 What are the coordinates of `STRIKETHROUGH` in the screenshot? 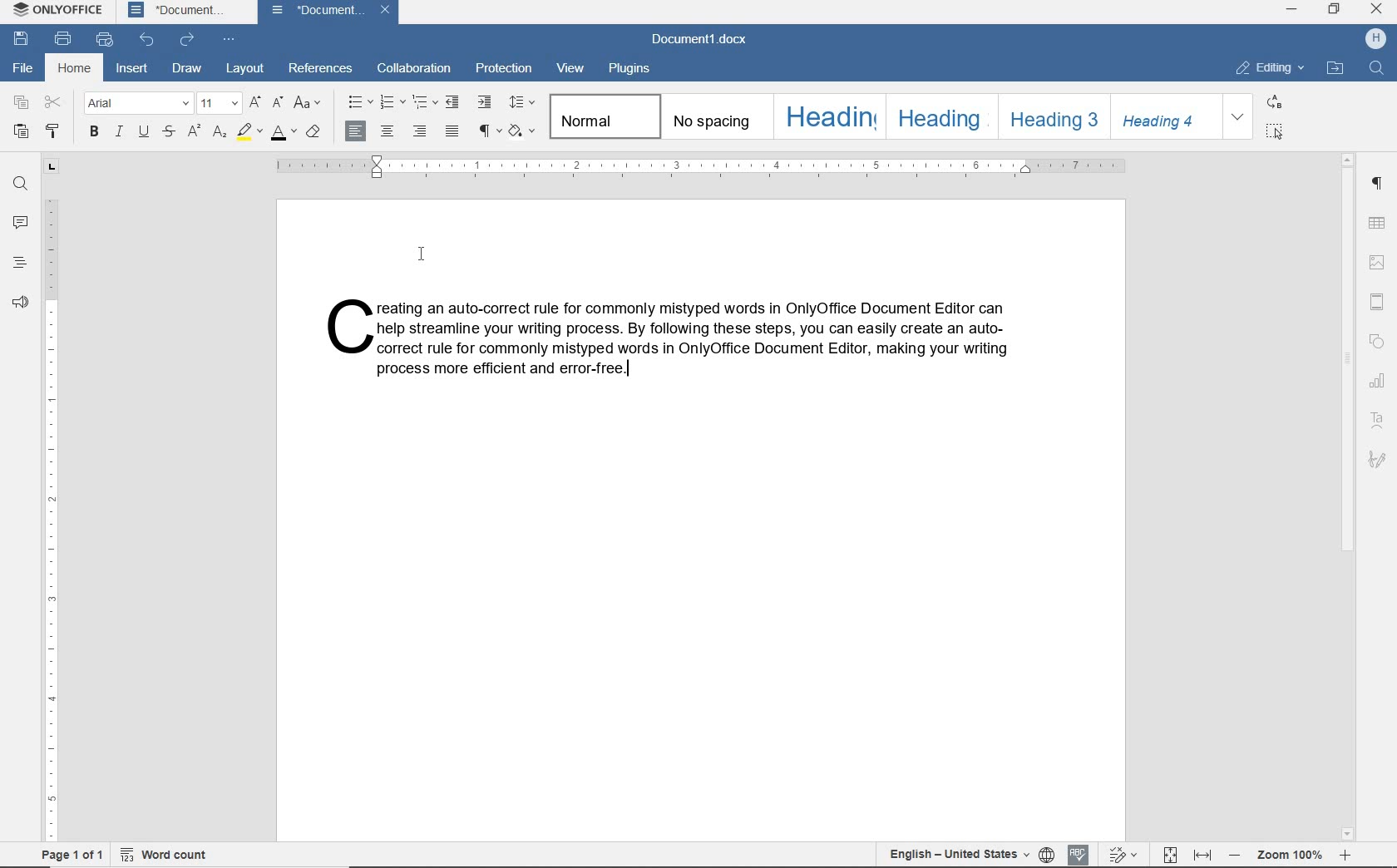 It's located at (170, 132).